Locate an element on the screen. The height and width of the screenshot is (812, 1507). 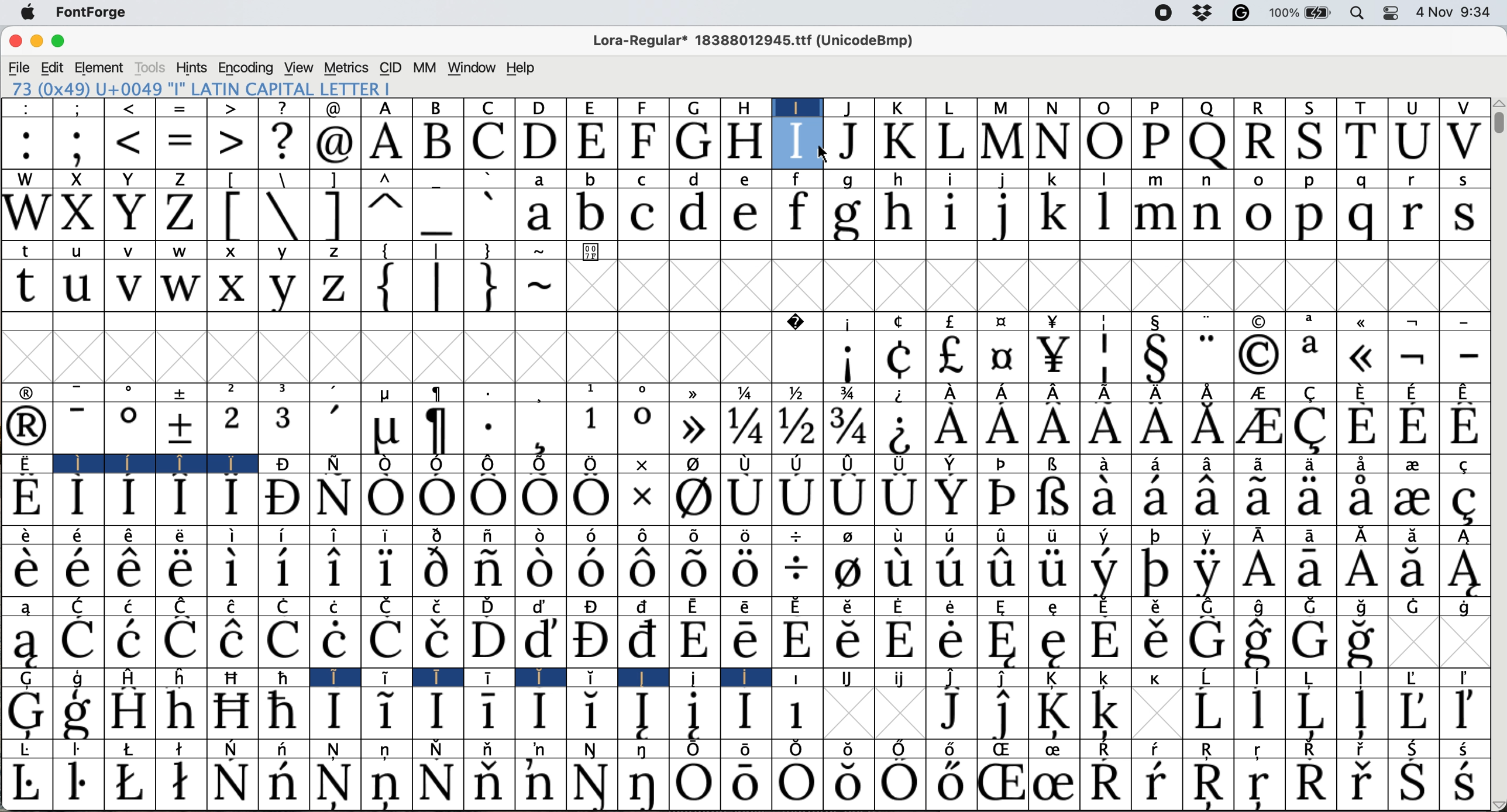
C is located at coordinates (646, 181).